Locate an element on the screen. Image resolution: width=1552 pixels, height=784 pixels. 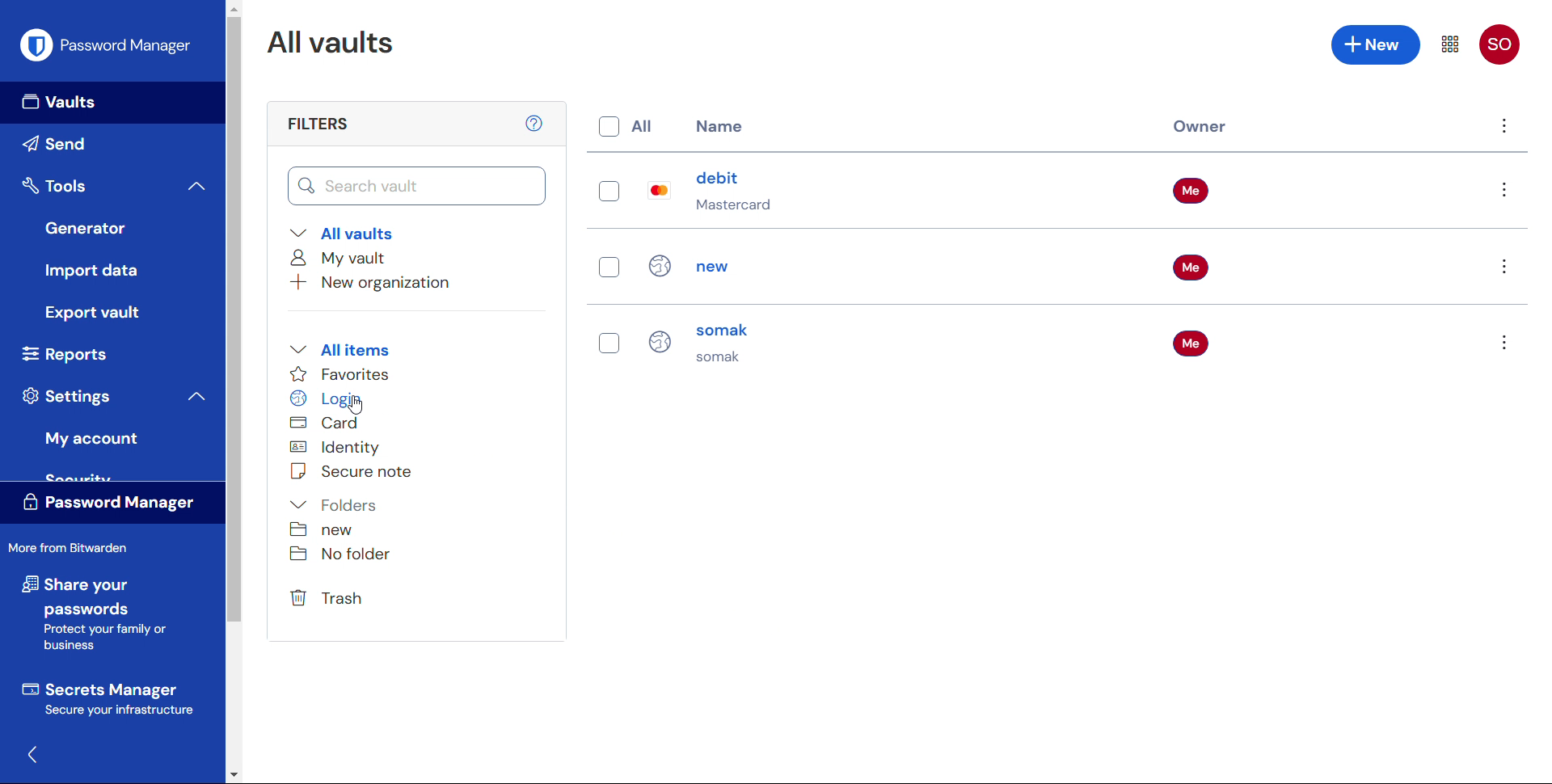
Options is located at coordinates (1507, 342).